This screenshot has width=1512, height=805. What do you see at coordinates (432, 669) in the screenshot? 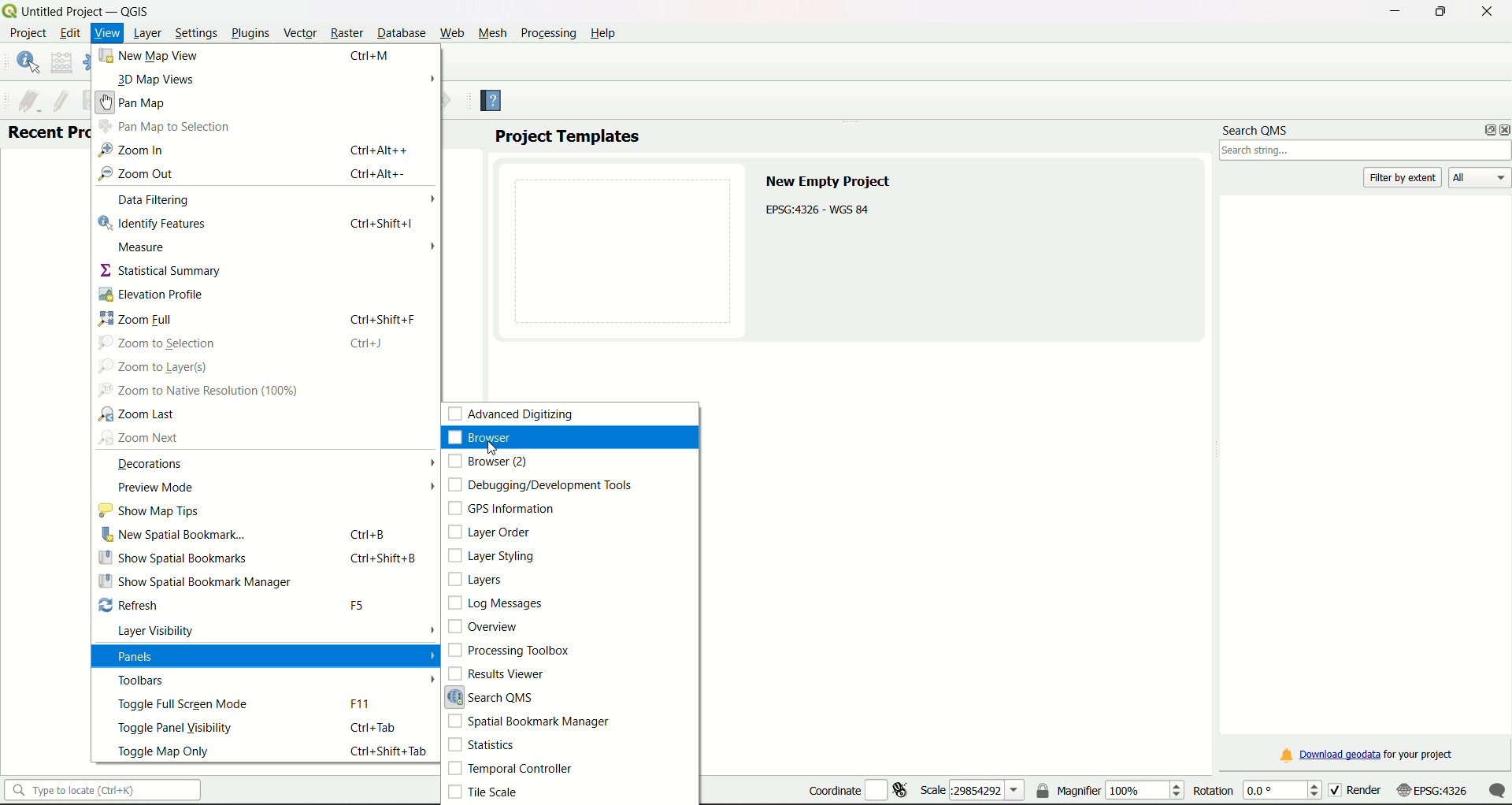
I see `arrows` at bounding box center [432, 669].